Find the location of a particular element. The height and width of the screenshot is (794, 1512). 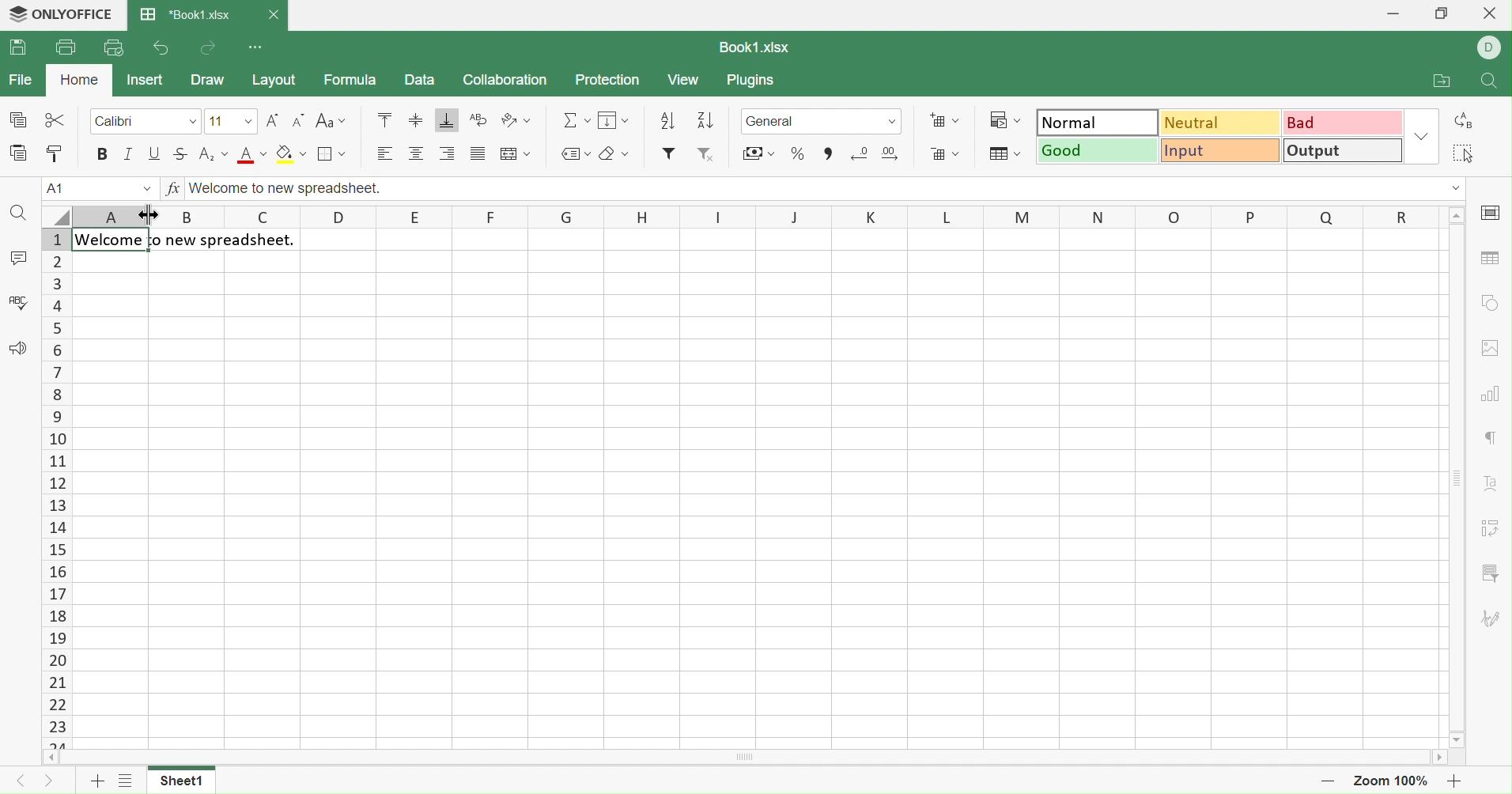

Restore Down is located at coordinates (1446, 13).